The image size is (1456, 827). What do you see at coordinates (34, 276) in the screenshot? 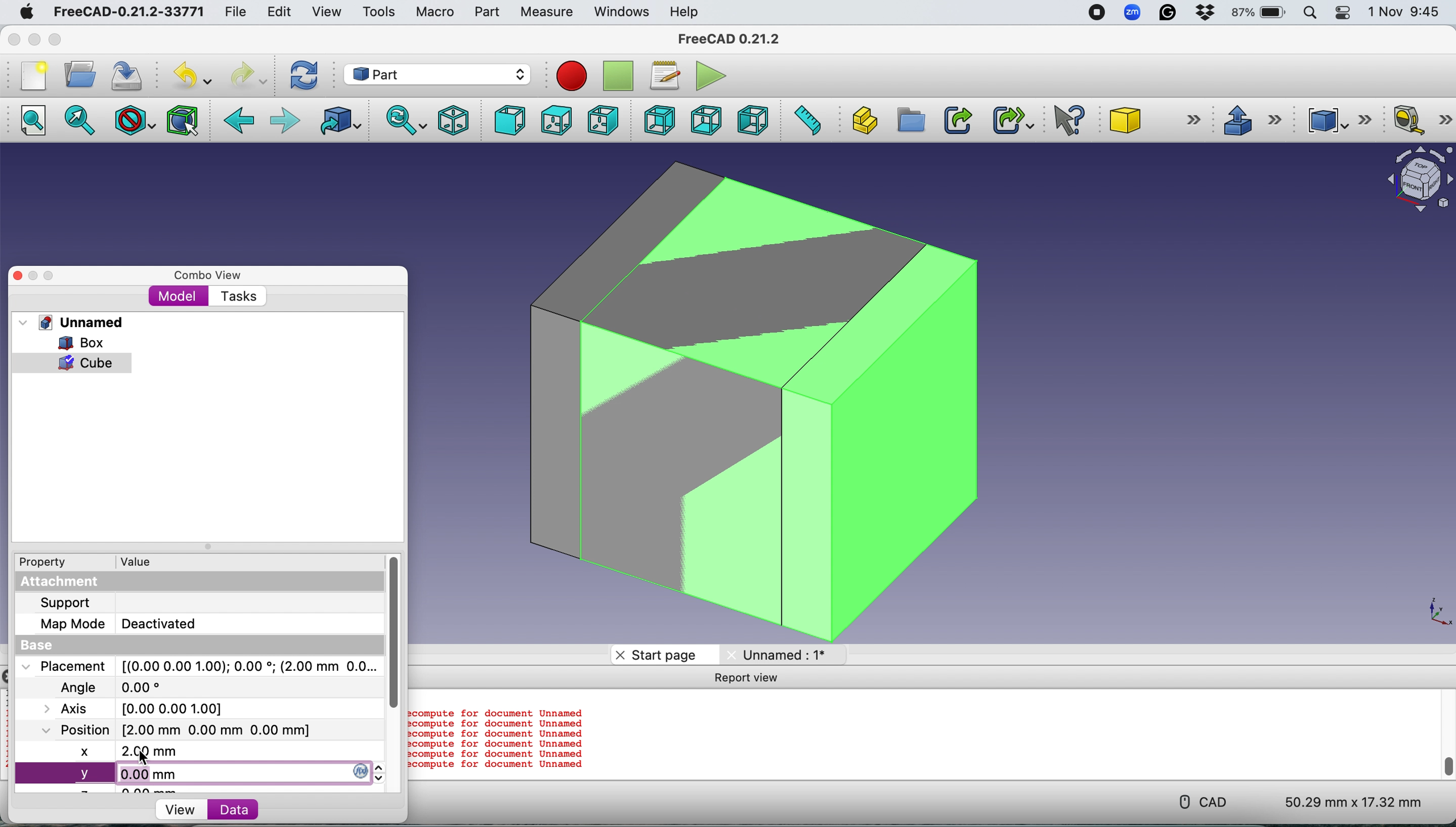
I see `Minimise` at bounding box center [34, 276].